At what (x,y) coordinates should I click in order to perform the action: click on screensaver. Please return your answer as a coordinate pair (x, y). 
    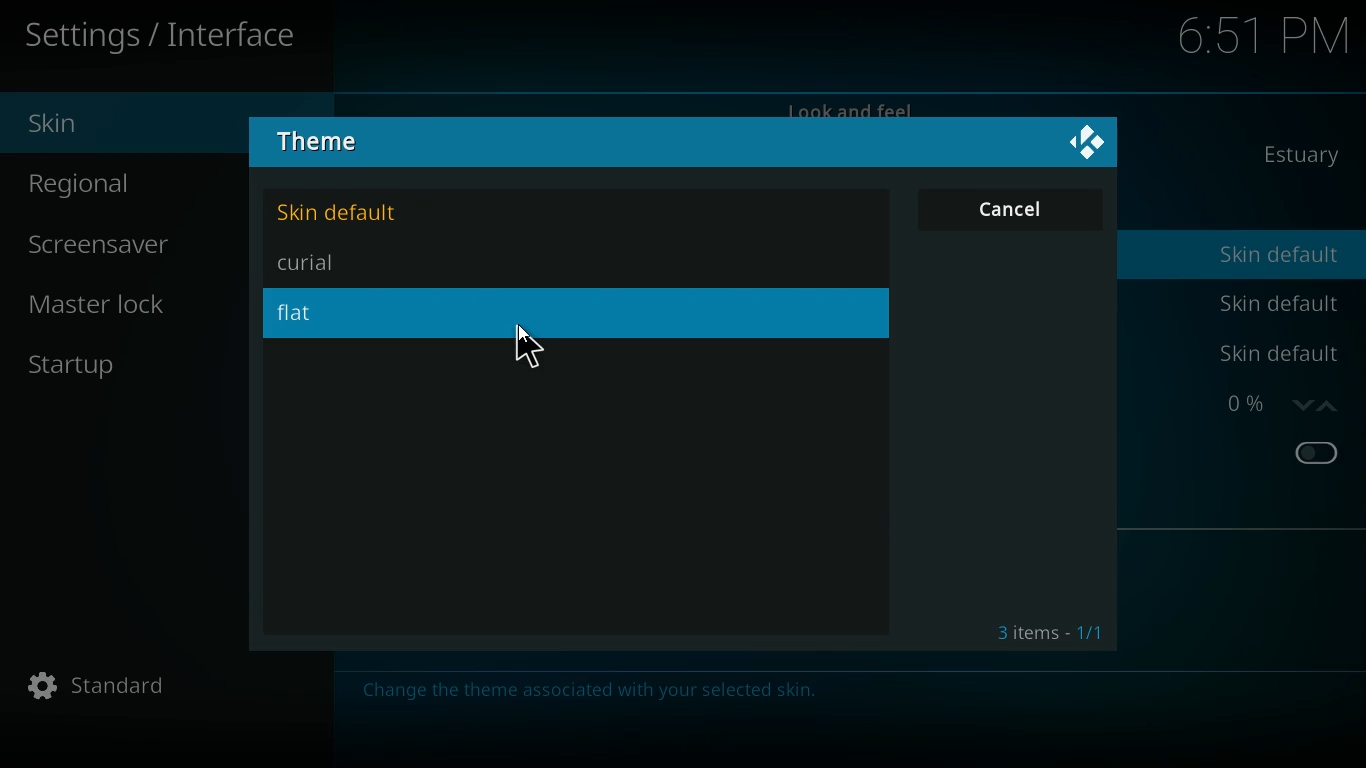
    Looking at the image, I should click on (123, 247).